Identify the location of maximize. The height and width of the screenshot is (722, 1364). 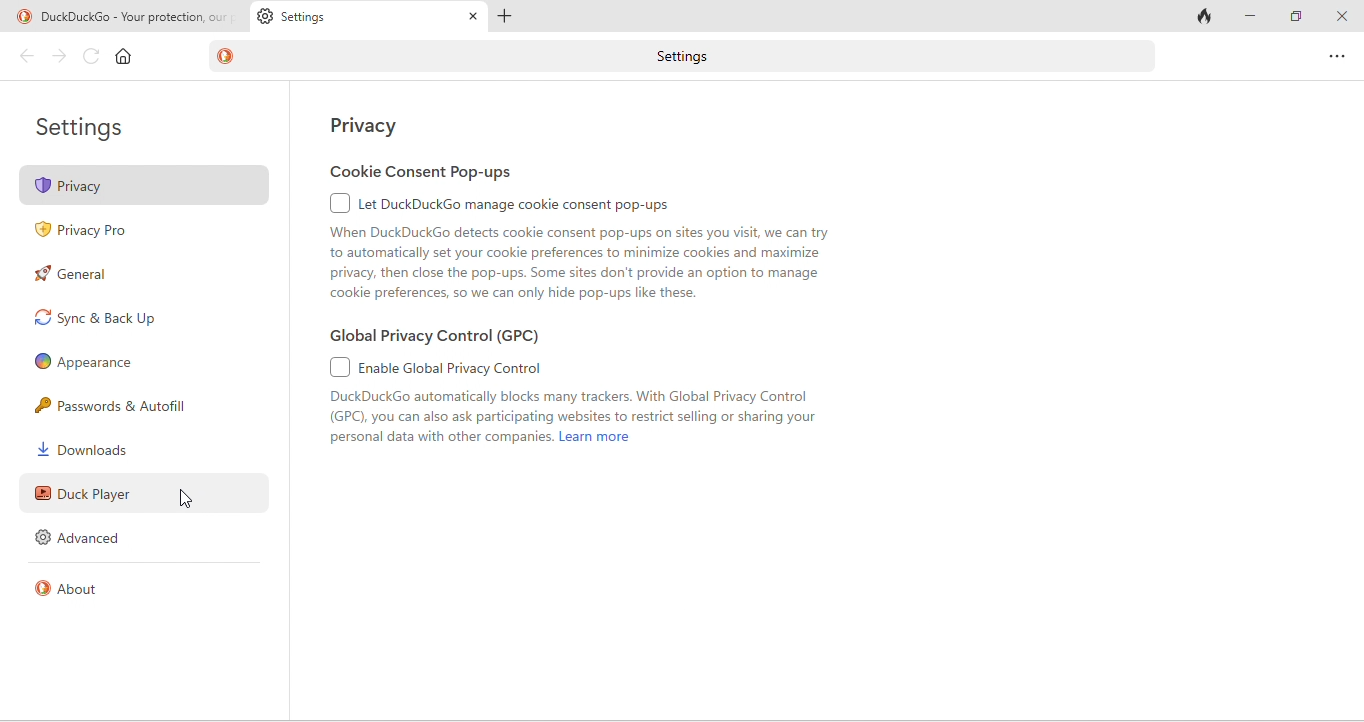
(1298, 18).